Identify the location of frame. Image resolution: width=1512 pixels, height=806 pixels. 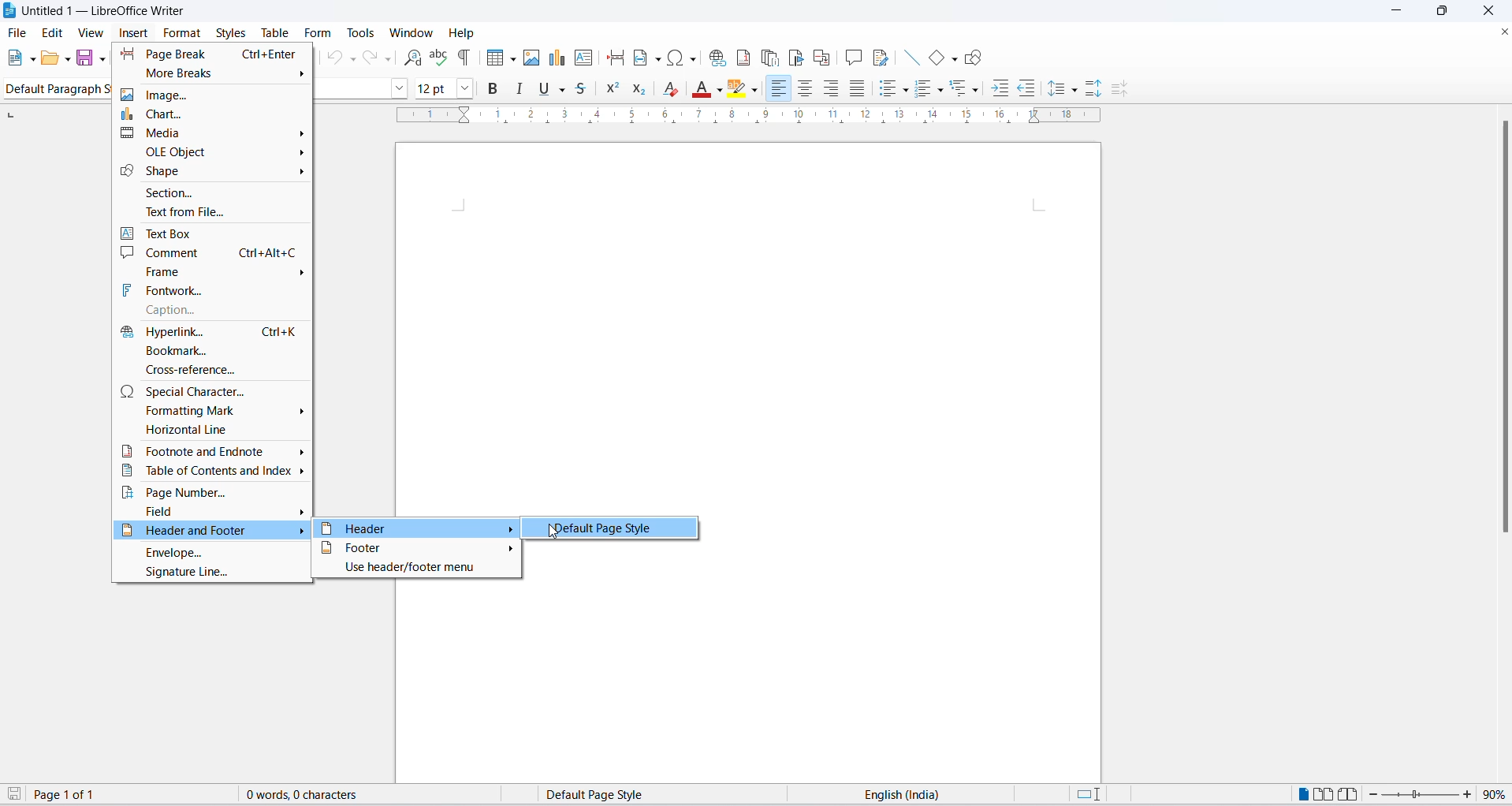
(215, 271).